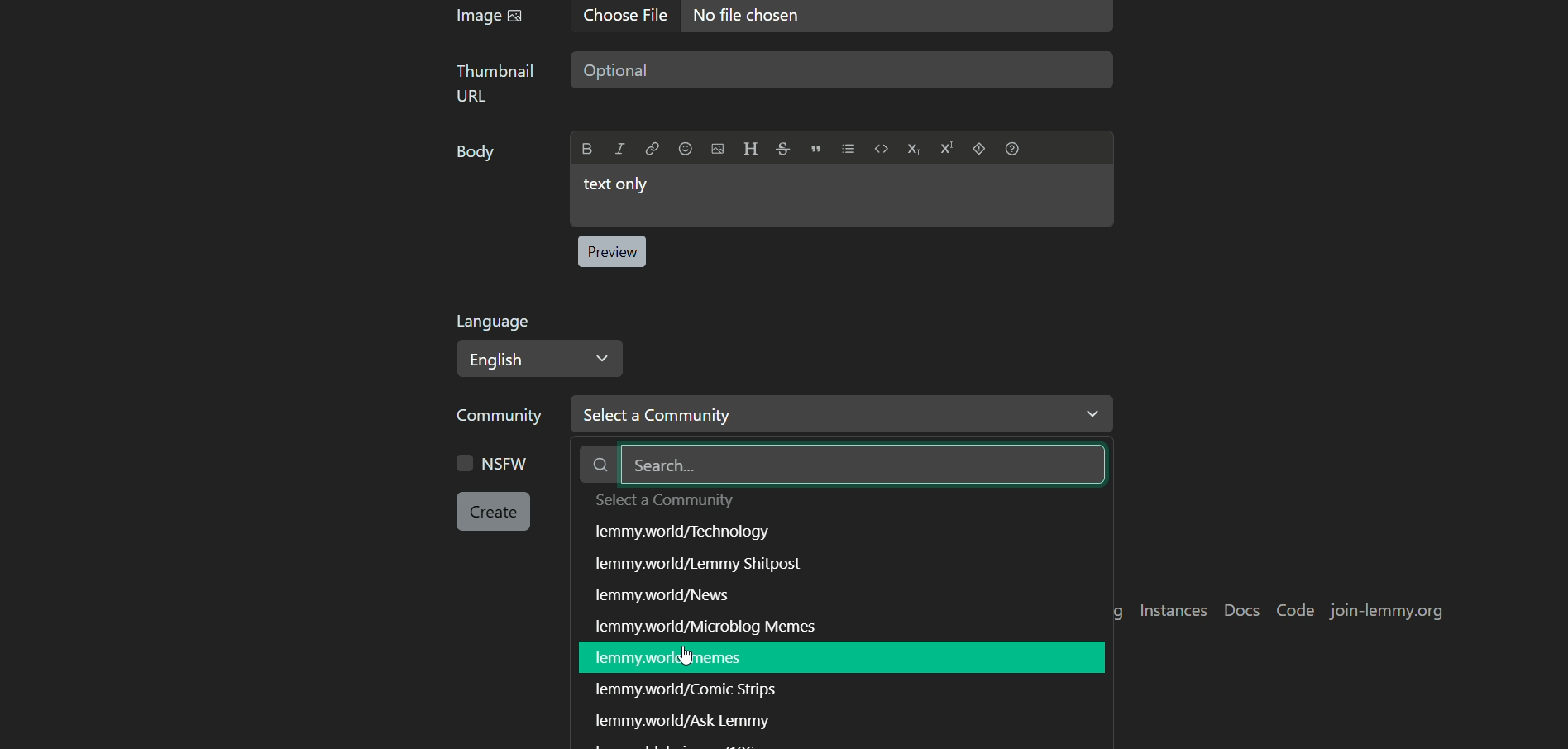  I want to click on text, so click(671, 597).